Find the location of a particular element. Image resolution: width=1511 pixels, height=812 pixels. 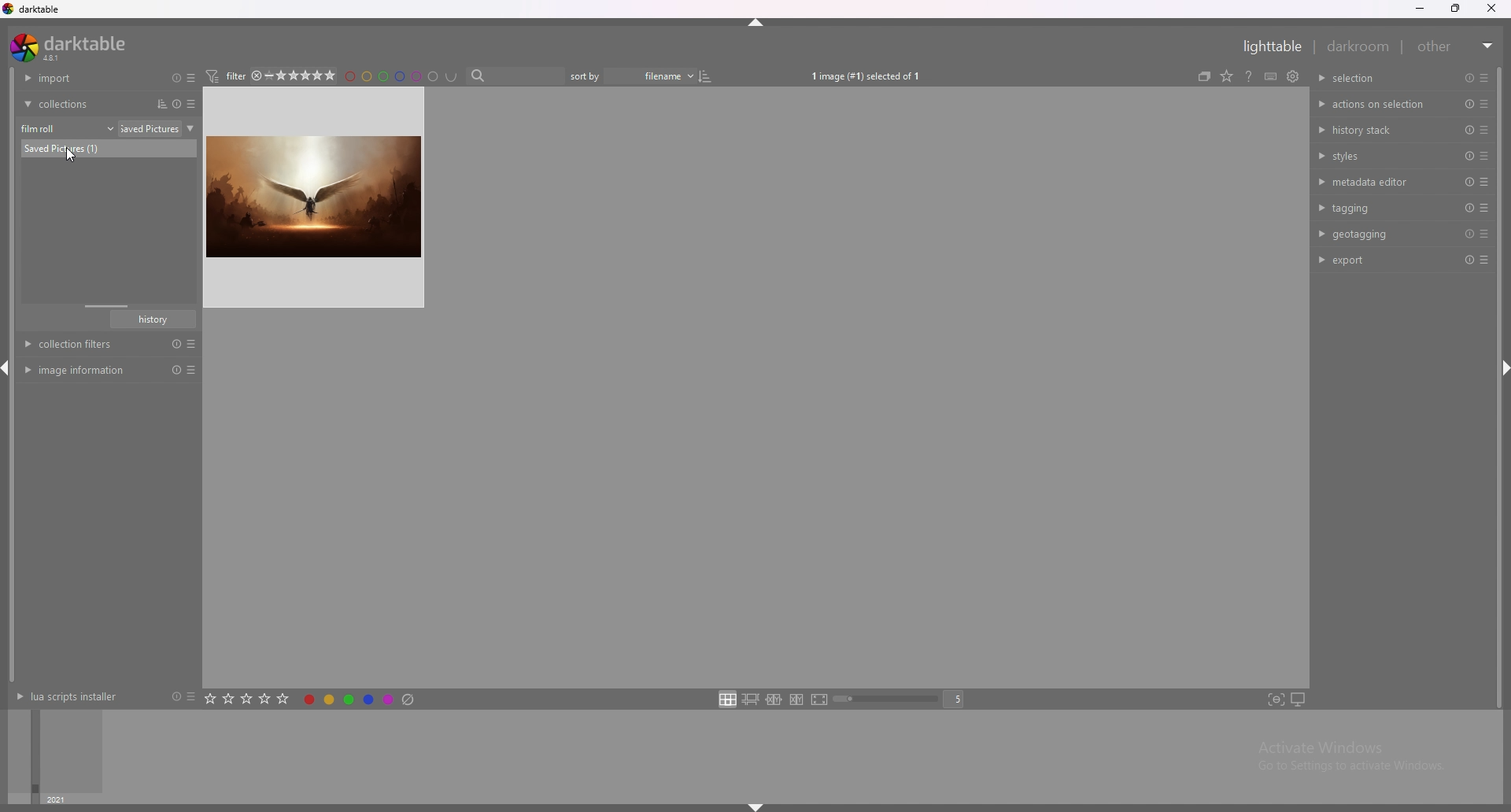

presets is located at coordinates (194, 78).